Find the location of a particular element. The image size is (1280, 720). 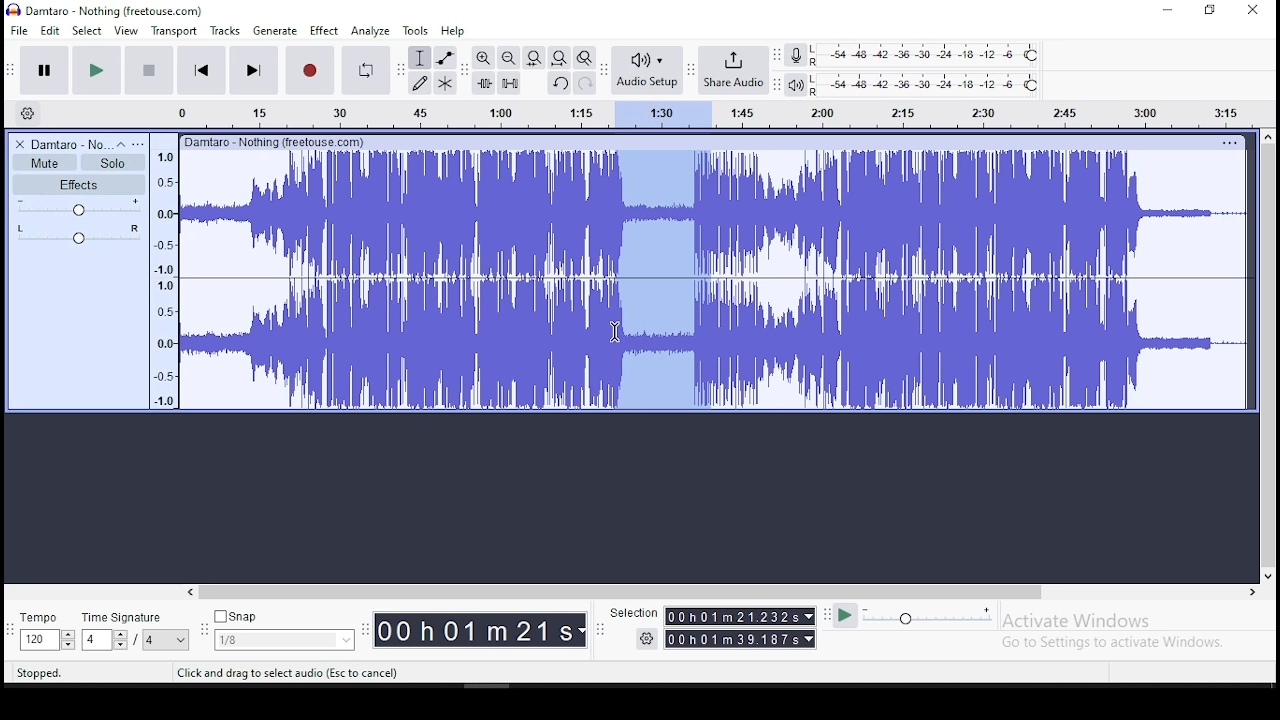

share audio is located at coordinates (735, 72).